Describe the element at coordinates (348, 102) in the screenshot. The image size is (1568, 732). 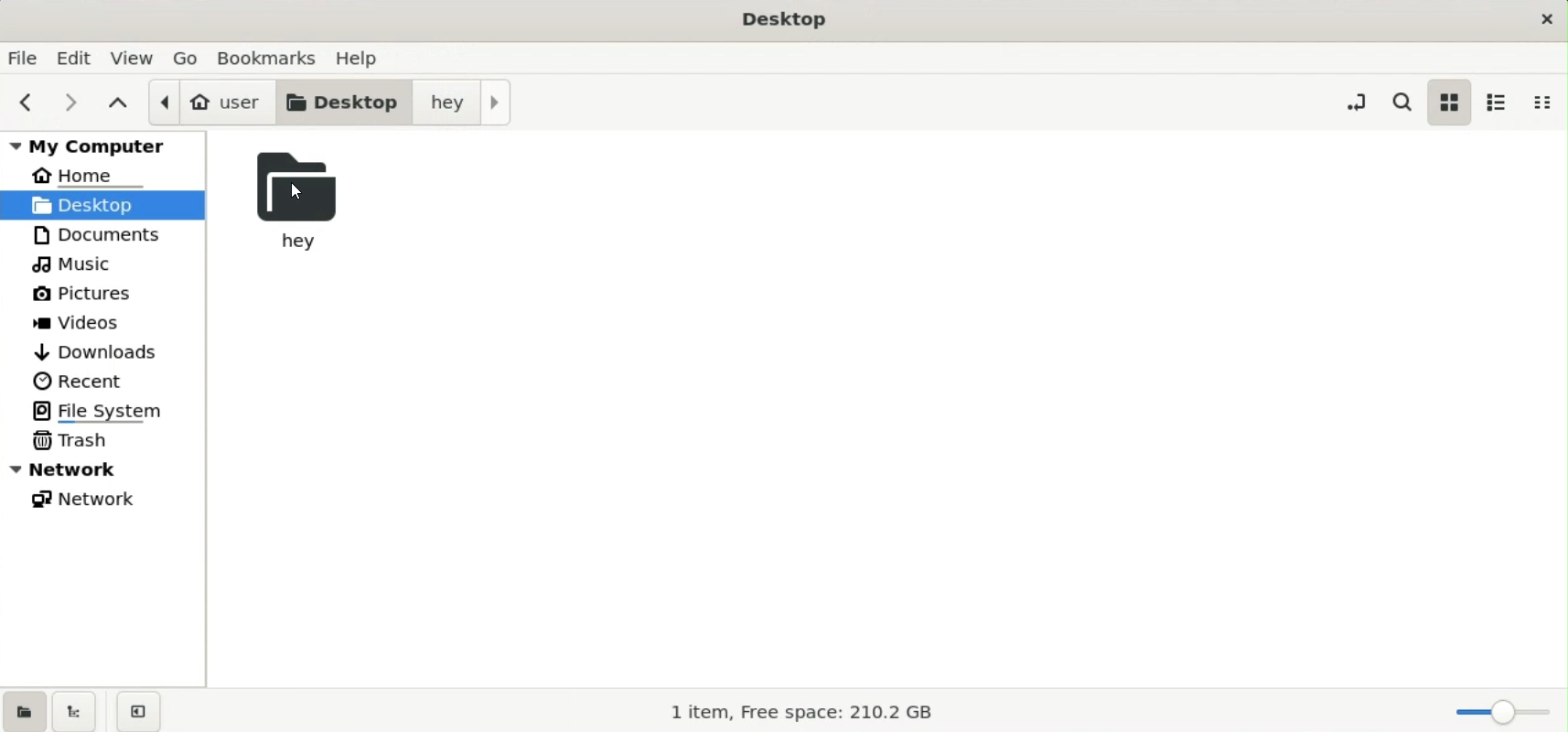
I see `desktop` at that location.